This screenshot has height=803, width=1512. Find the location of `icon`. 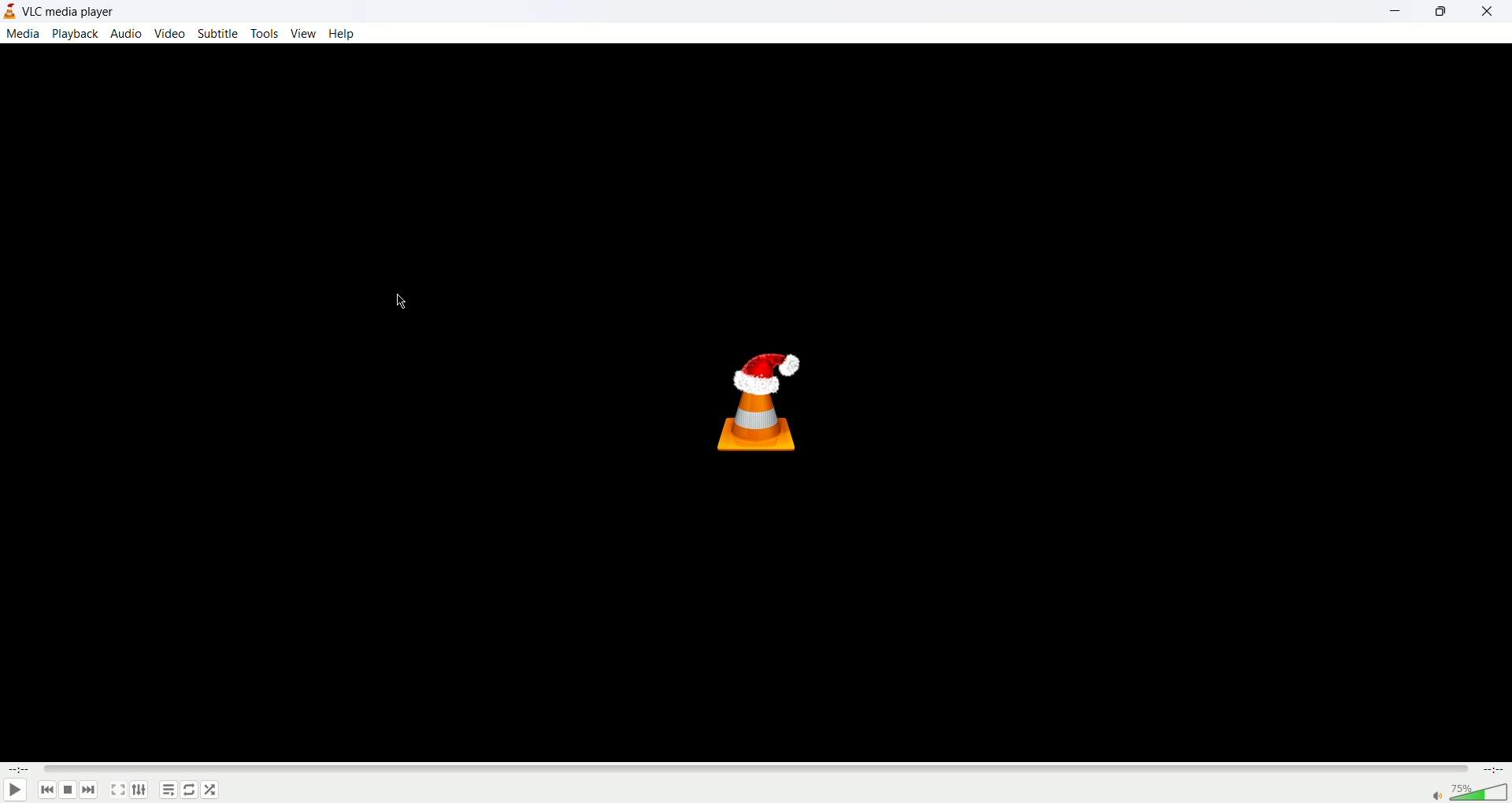

icon is located at coordinates (767, 400).